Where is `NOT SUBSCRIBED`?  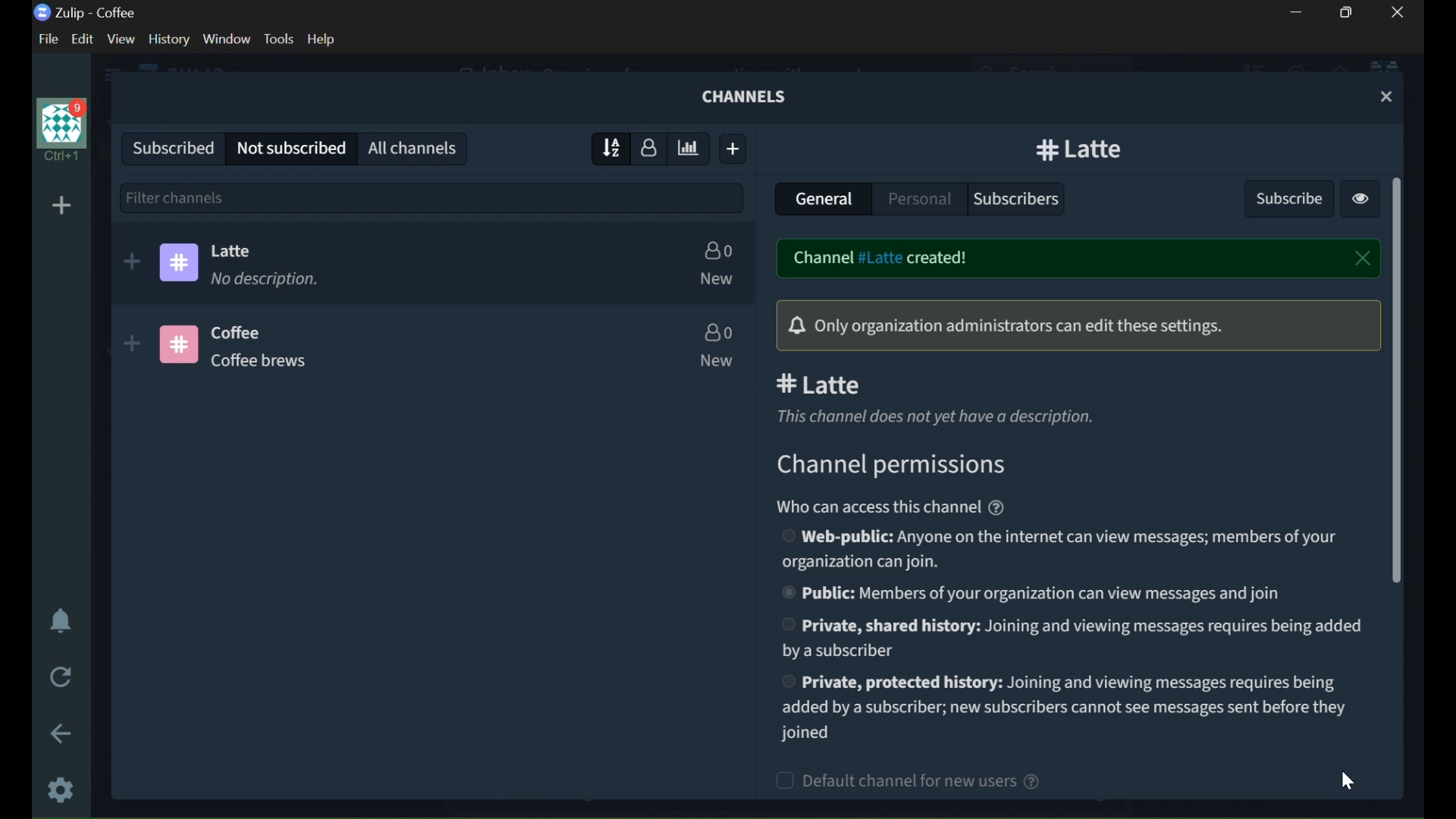 NOT SUBSCRIBED is located at coordinates (291, 149).